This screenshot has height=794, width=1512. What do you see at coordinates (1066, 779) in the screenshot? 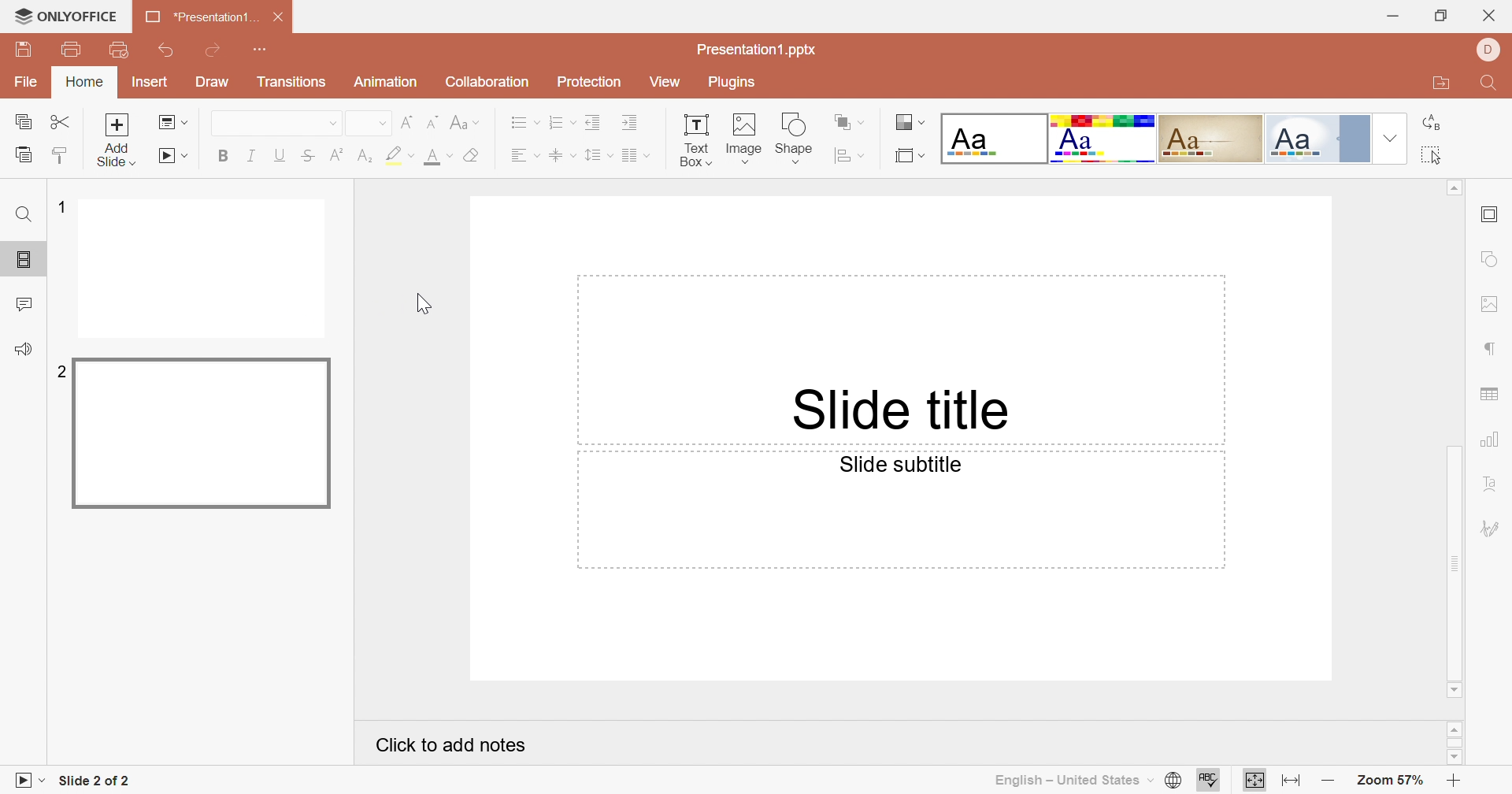
I see `English - United States` at bounding box center [1066, 779].